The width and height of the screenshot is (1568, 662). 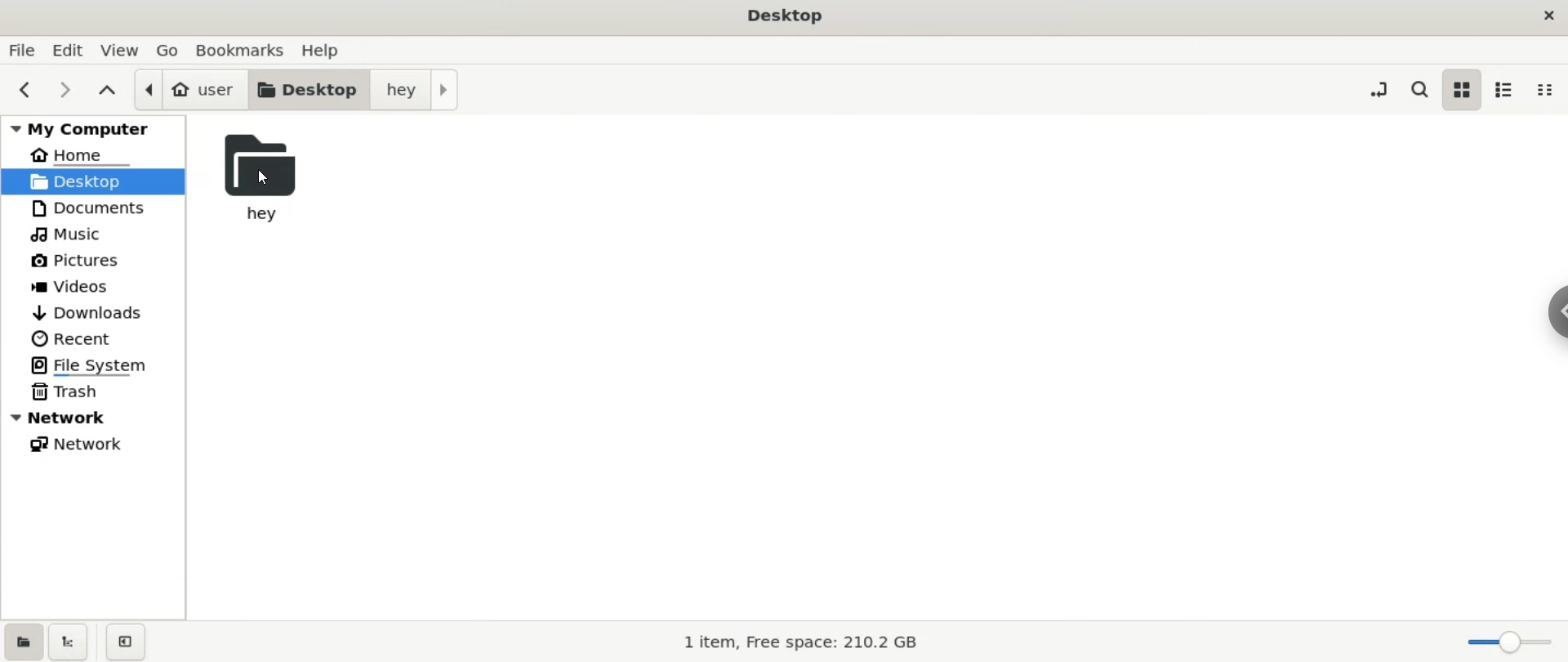 What do you see at coordinates (1501, 87) in the screenshot?
I see `list view` at bounding box center [1501, 87].